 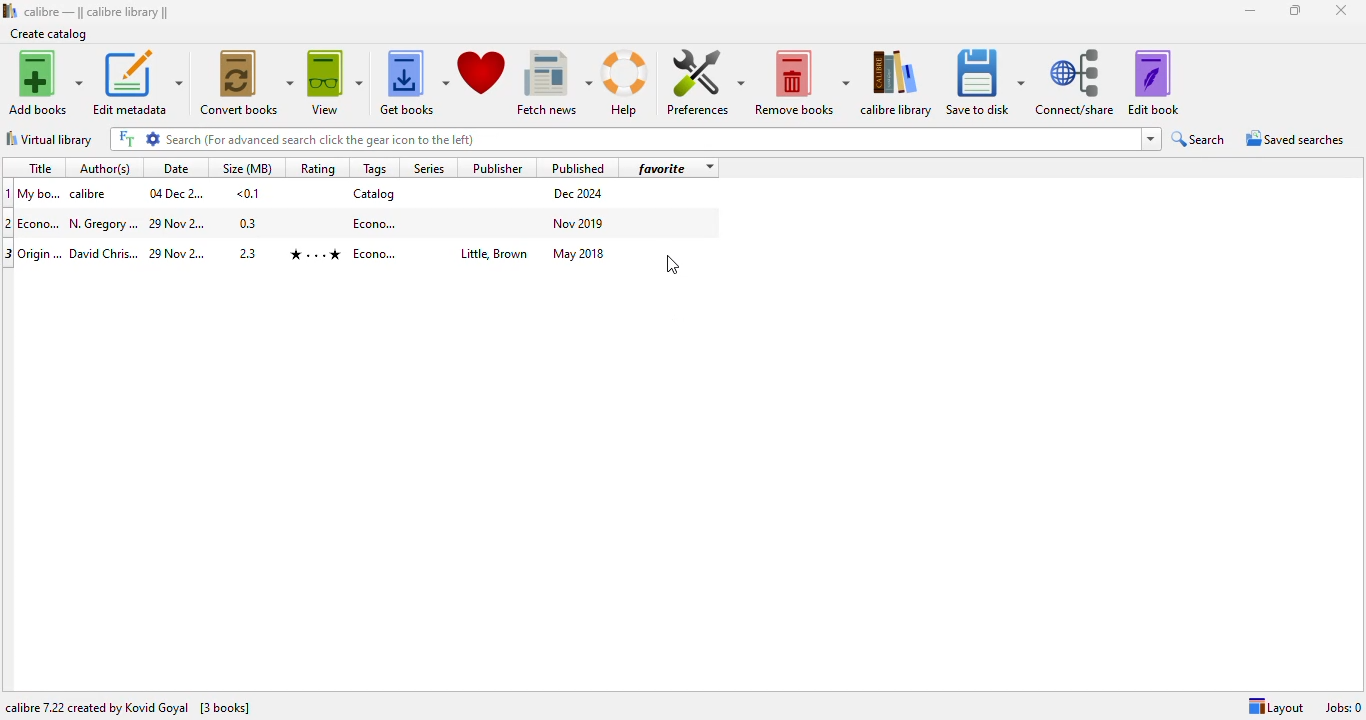 I want to click on date, so click(x=179, y=254).